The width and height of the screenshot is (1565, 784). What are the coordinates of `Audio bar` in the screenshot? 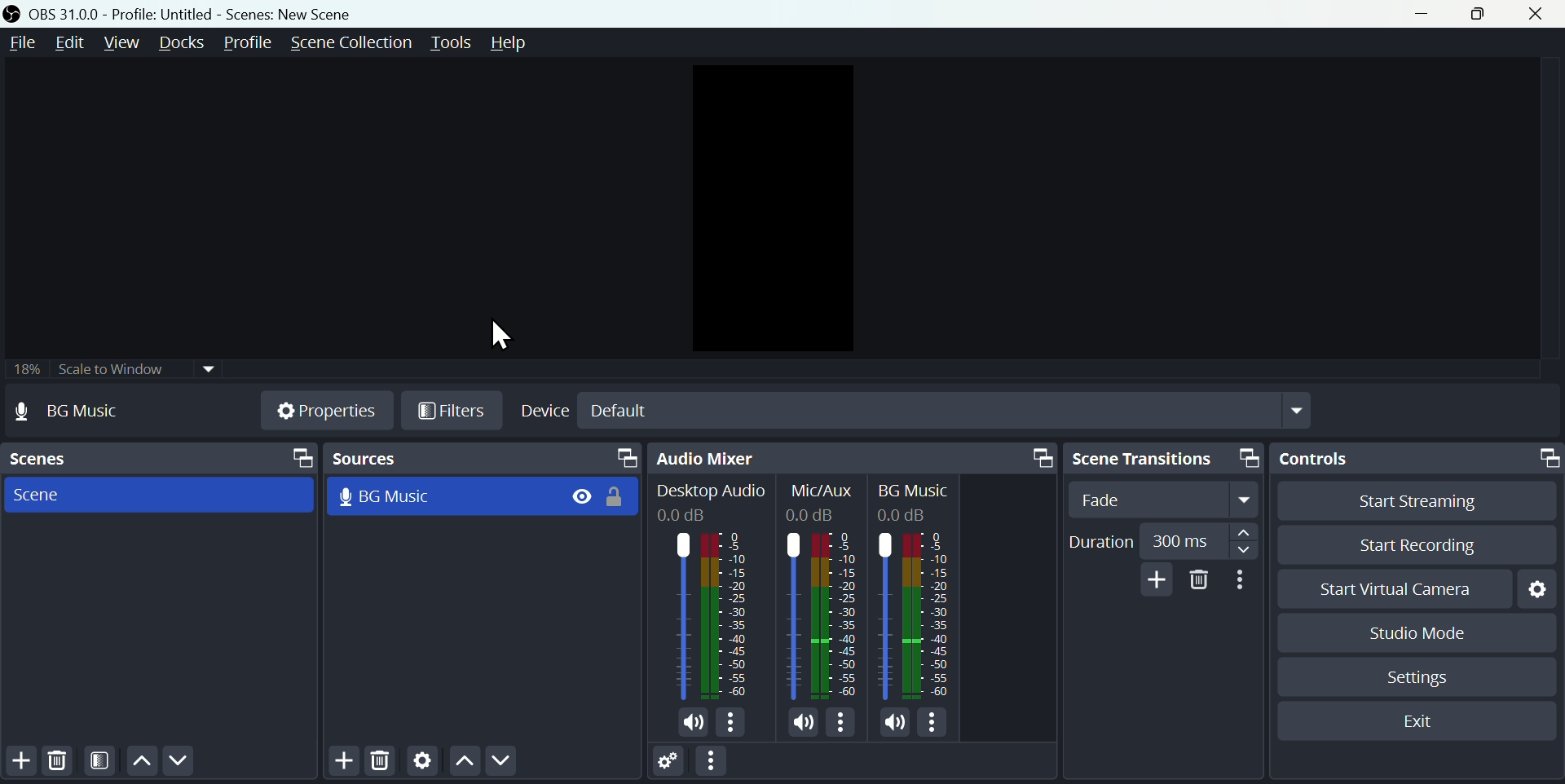 It's located at (708, 615).